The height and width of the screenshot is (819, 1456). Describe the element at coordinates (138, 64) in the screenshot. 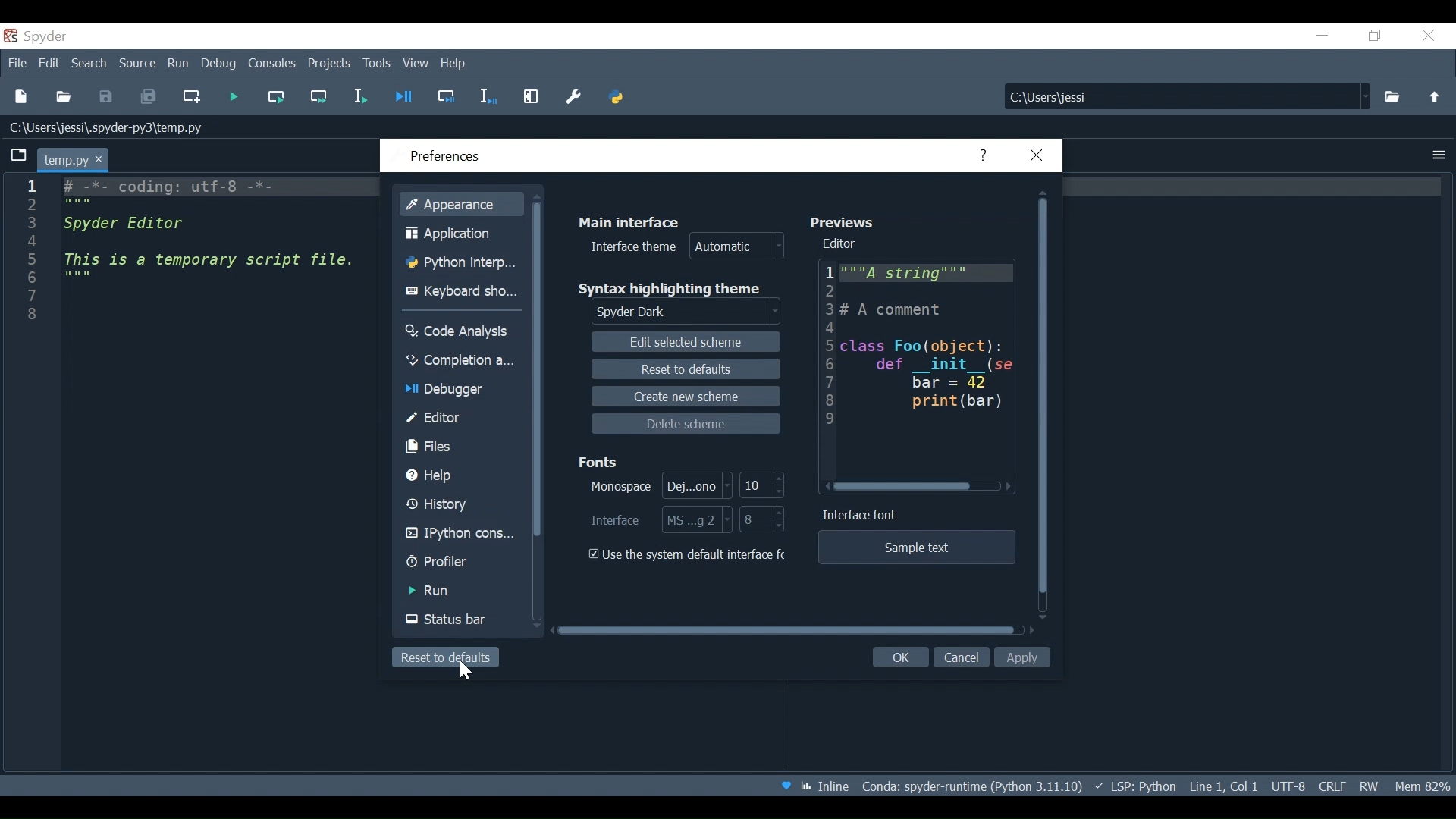

I see `Source` at that location.